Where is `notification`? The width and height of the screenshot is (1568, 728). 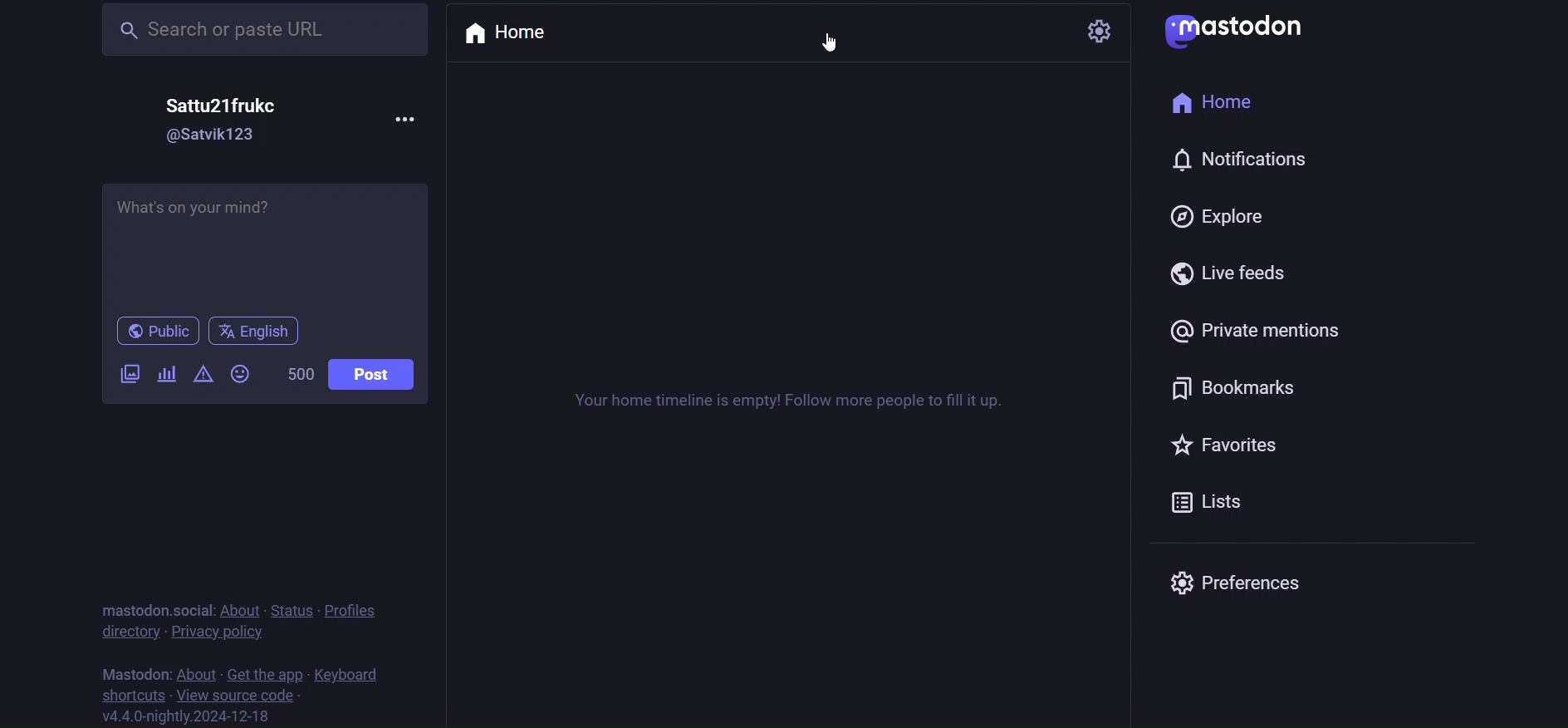 notification is located at coordinates (1245, 160).